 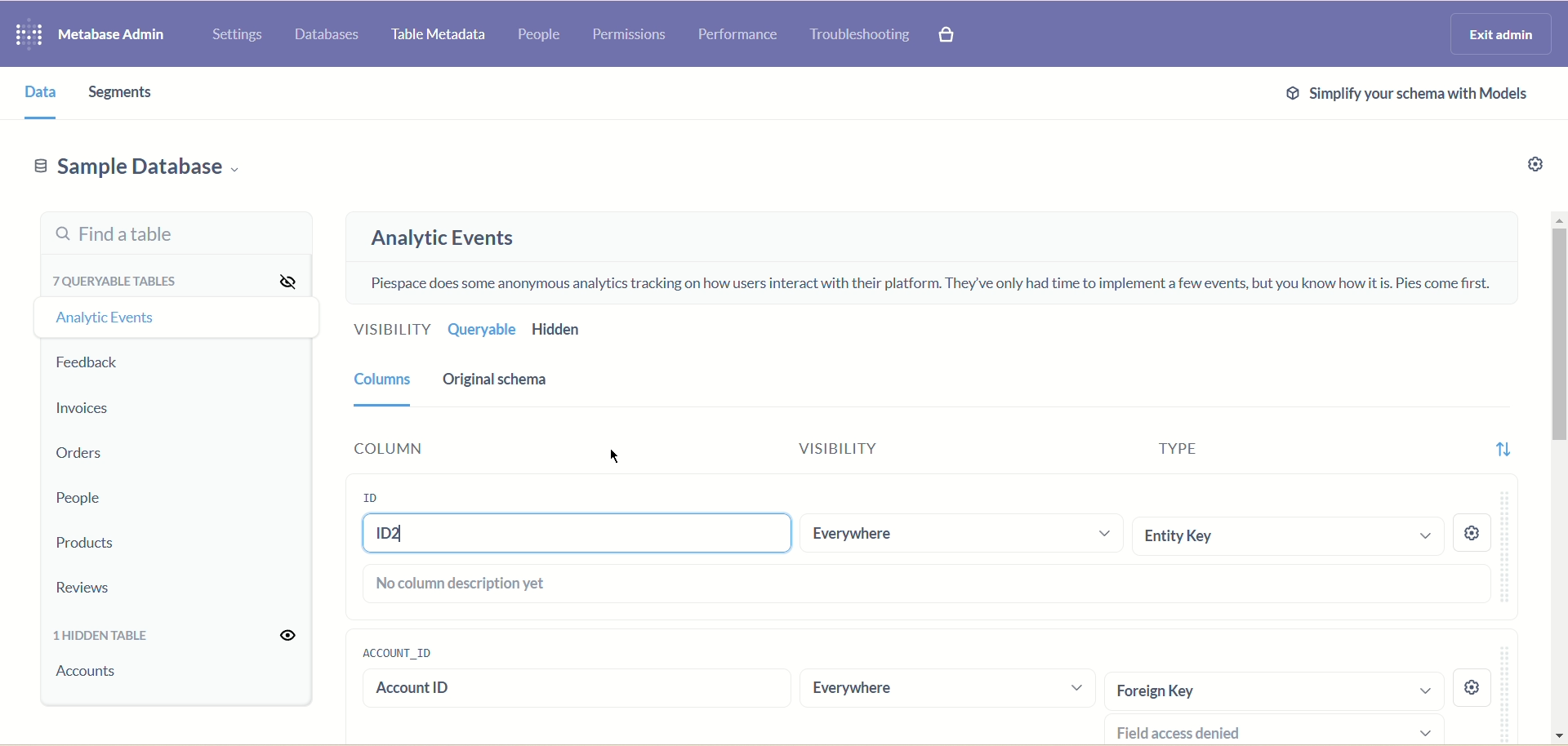 What do you see at coordinates (1287, 537) in the screenshot?
I see `Entity Key` at bounding box center [1287, 537].